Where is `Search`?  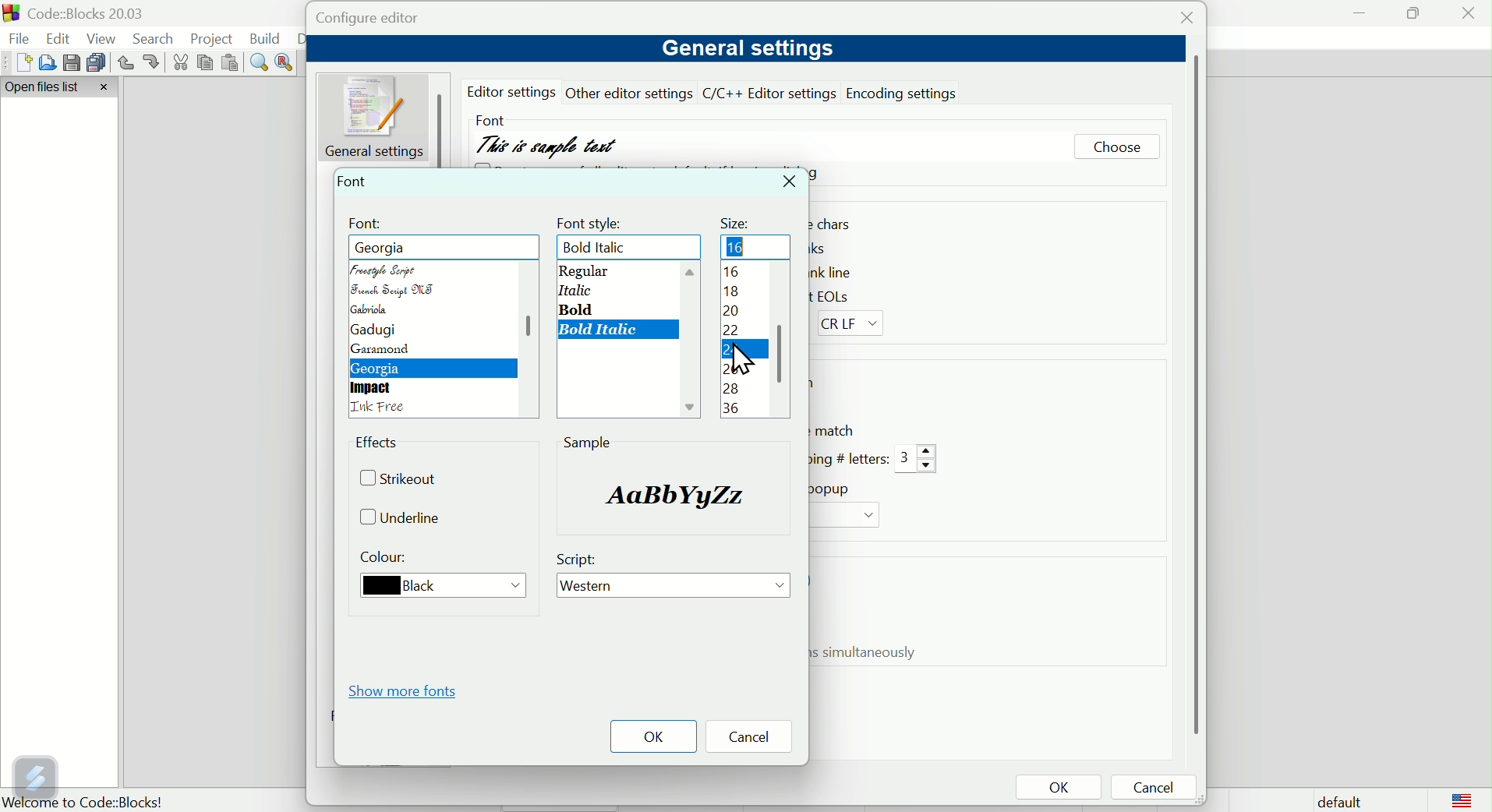 Search is located at coordinates (157, 39).